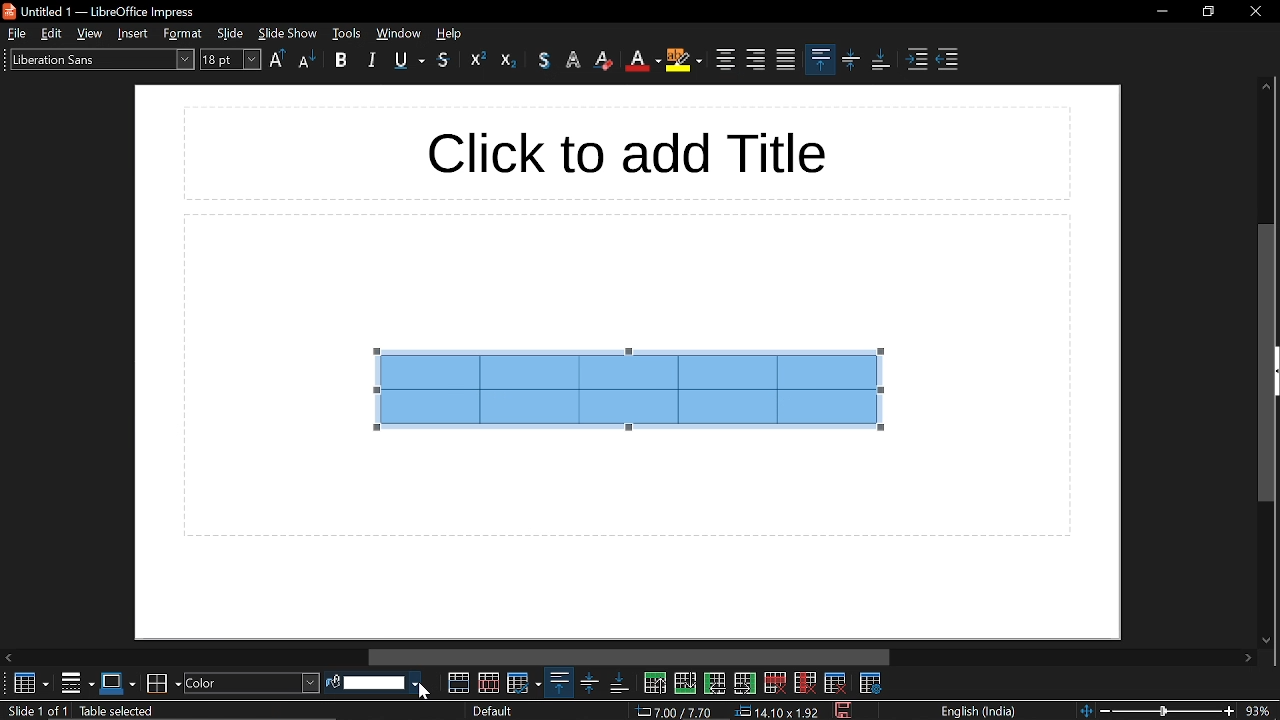  What do you see at coordinates (489, 683) in the screenshot?
I see `split cells` at bounding box center [489, 683].